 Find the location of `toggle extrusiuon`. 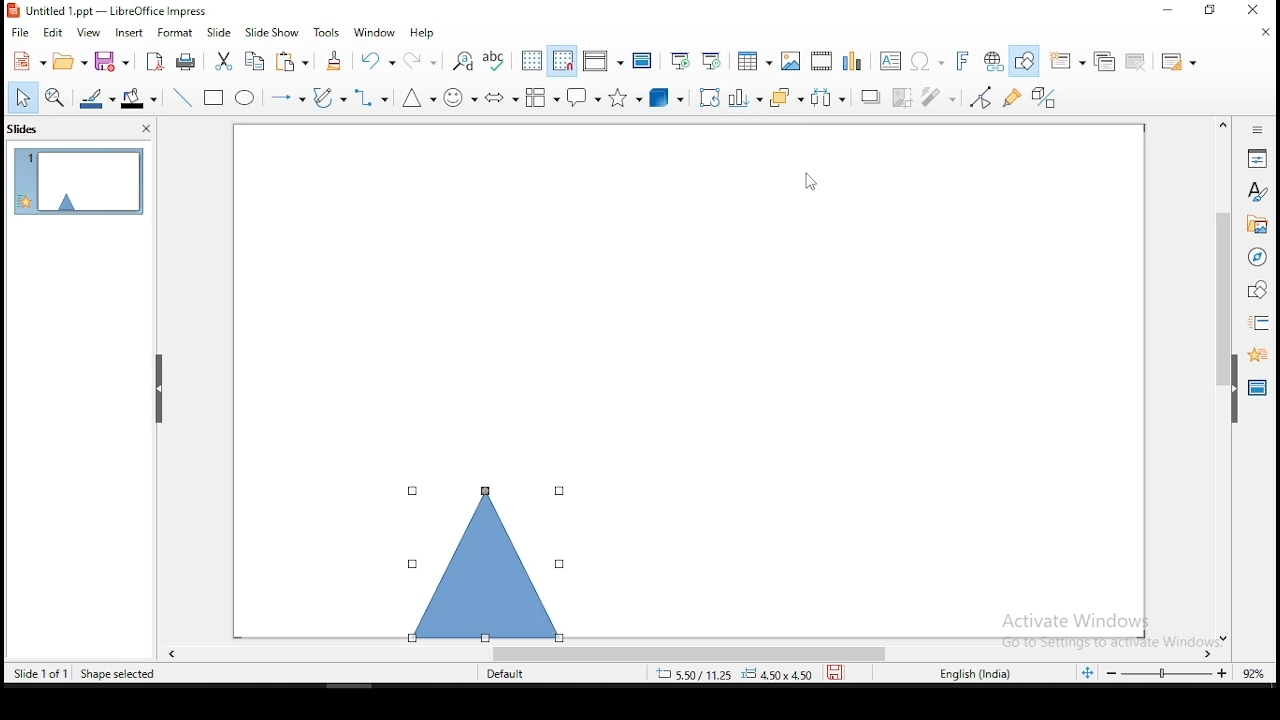

toggle extrusiuon is located at coordinates (1047, 98).